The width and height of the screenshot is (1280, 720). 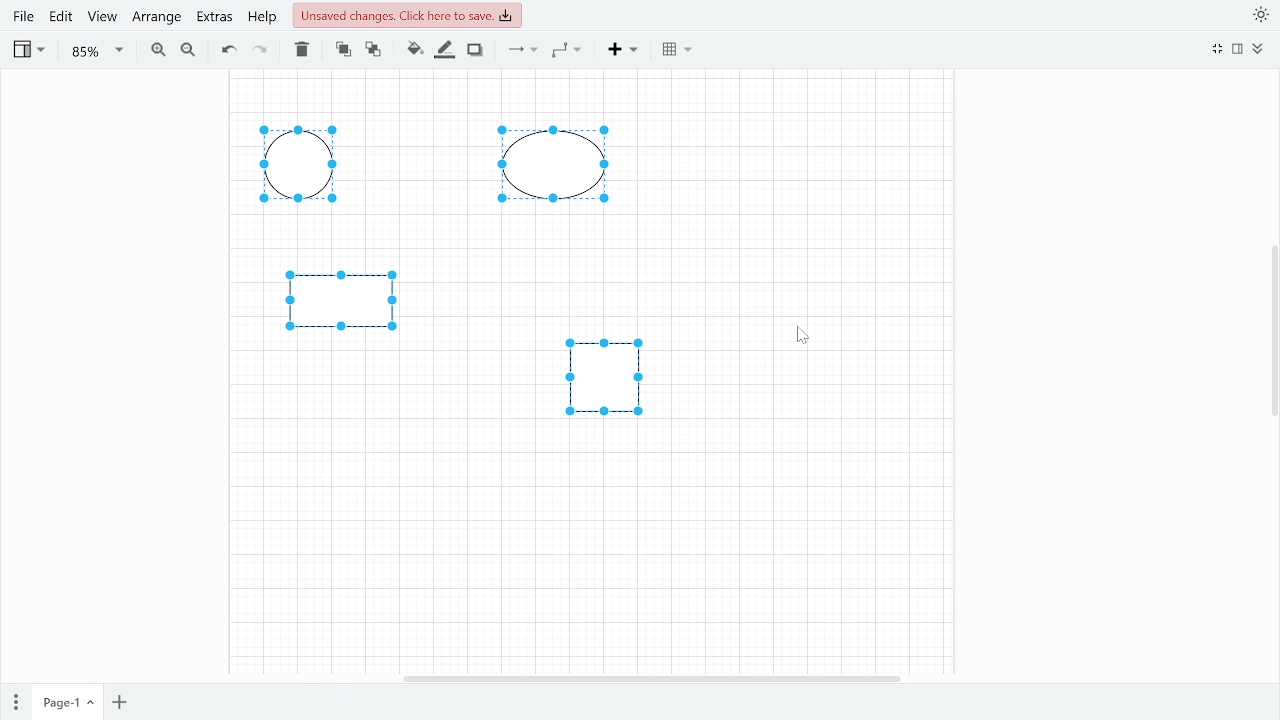 What do you see at coordinates (17, 698) in the screenshot?
I see `Pages` at bounding box center [17, 698].